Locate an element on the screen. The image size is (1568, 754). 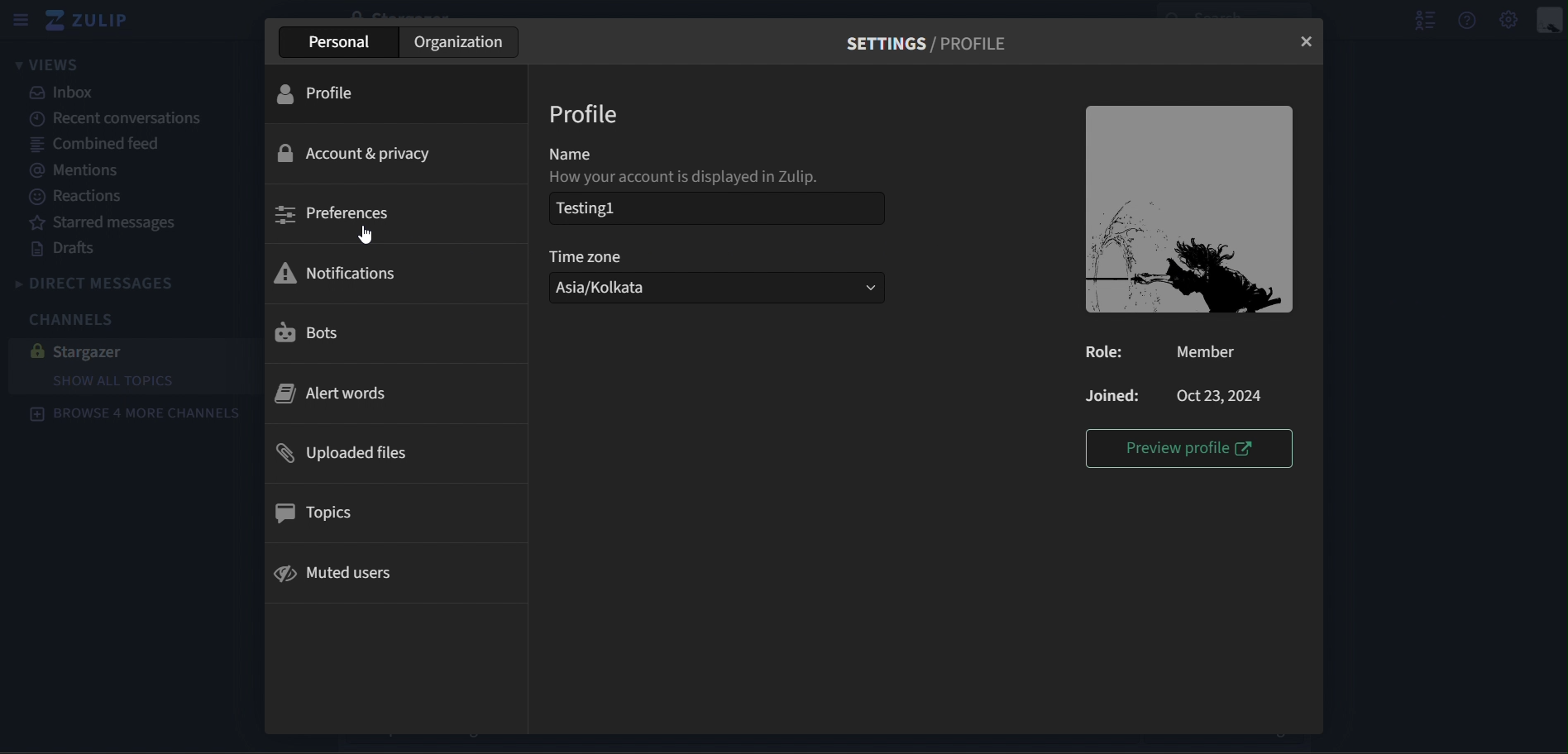
uploaded files is located at coordinates (345, 453).